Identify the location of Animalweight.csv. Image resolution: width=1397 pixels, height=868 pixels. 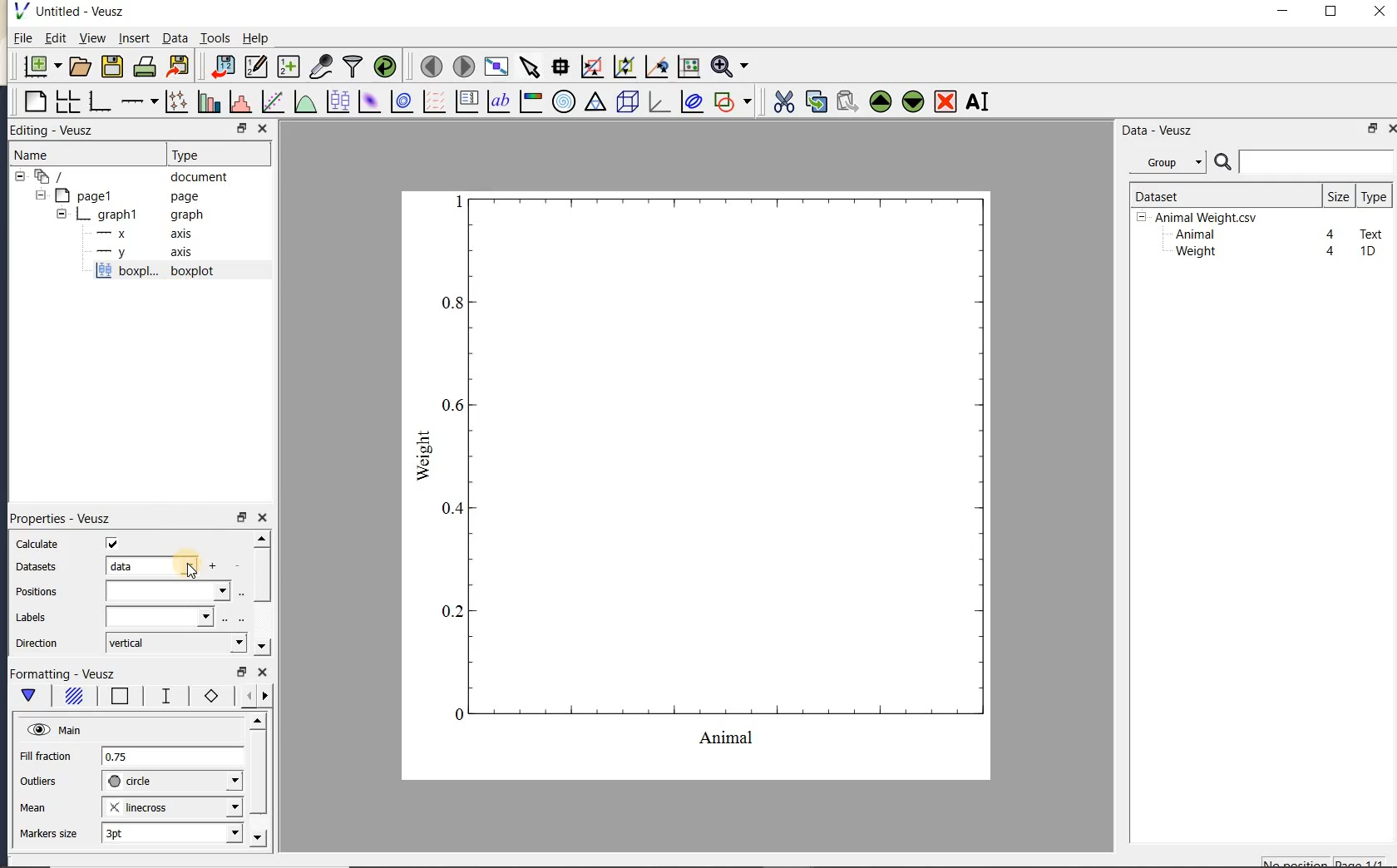
(1201, 218).